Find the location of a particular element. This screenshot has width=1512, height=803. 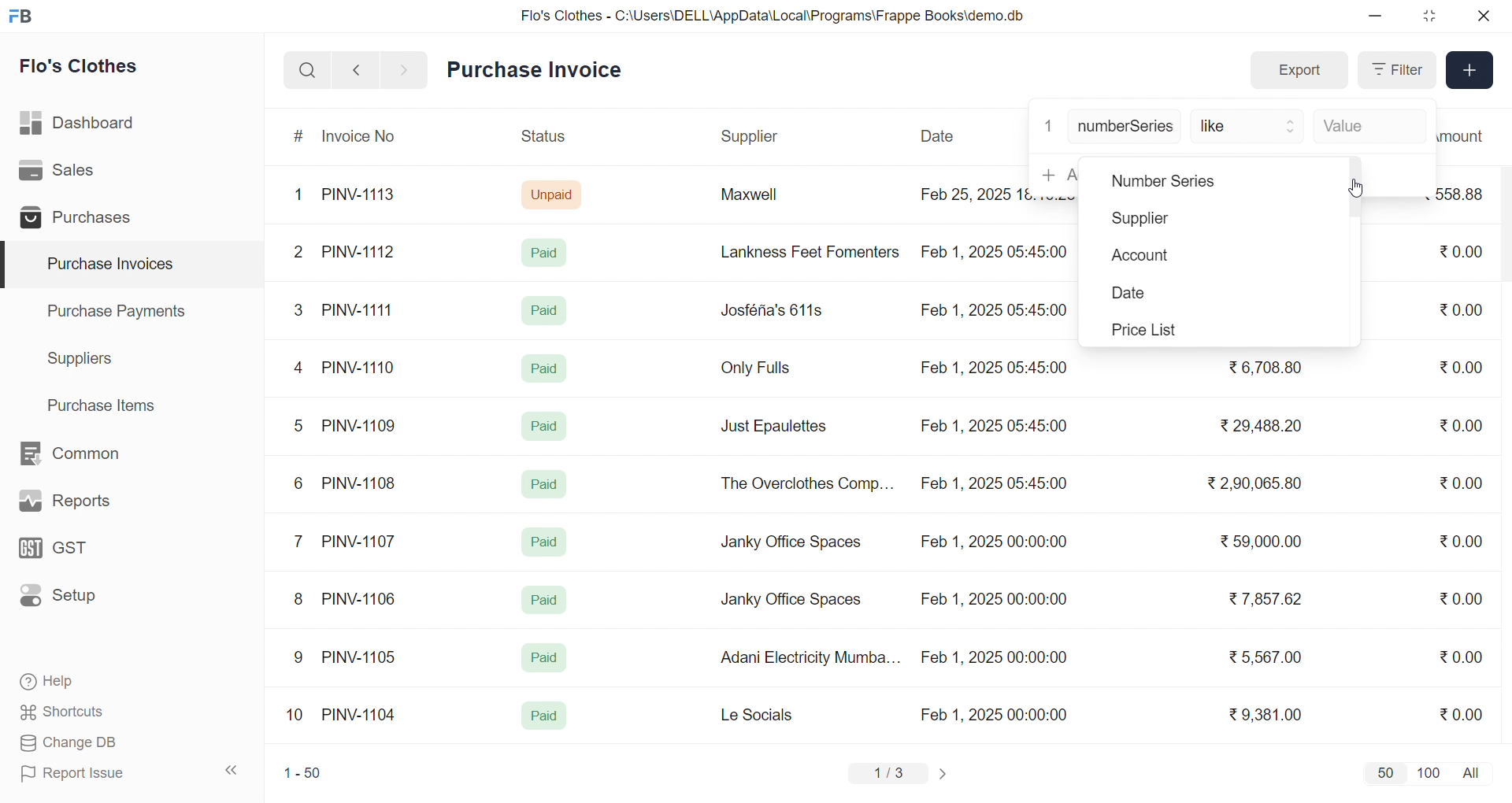

Suppliers is located at coordinates (83, 358).